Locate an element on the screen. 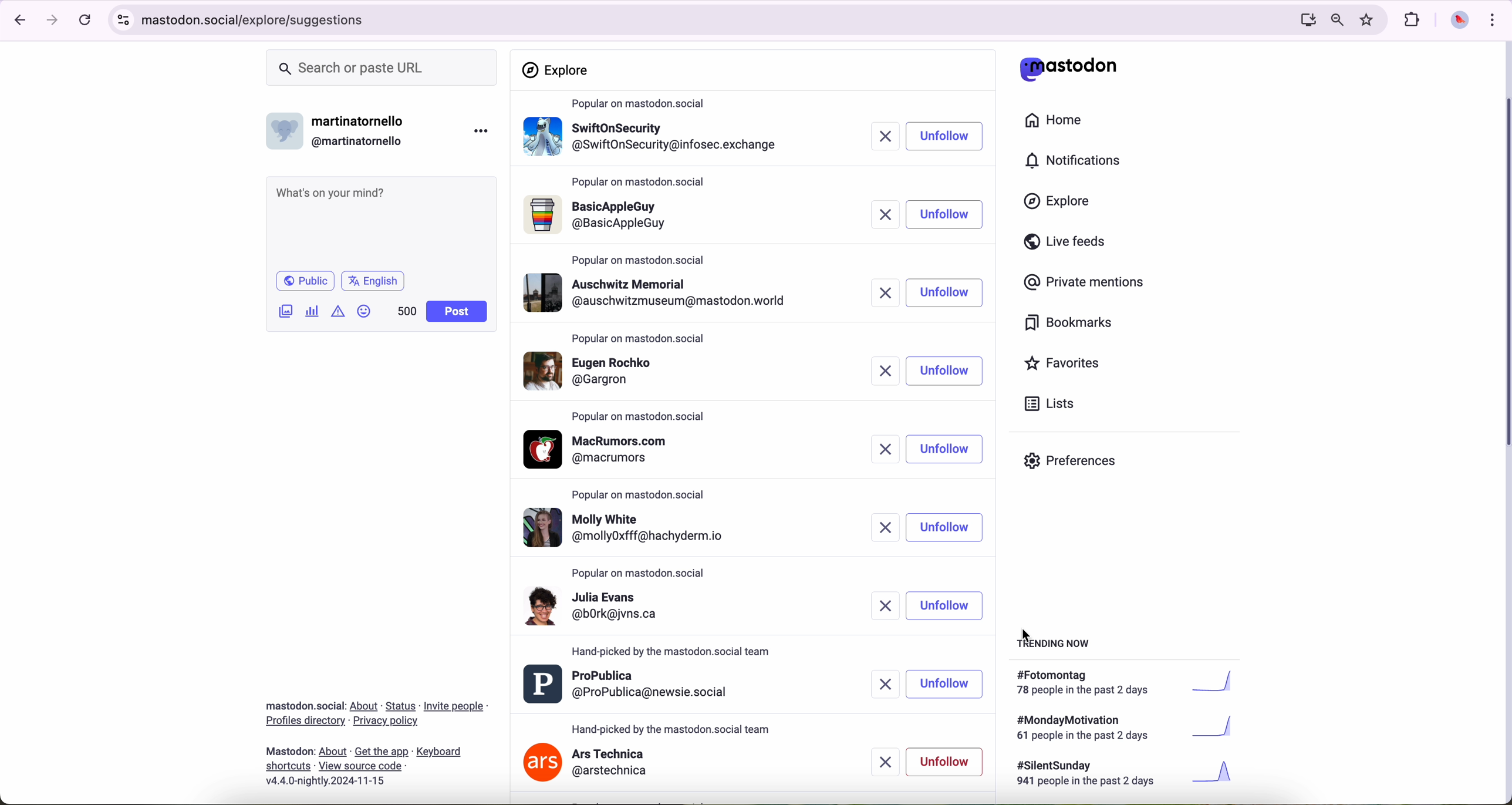  remove is located at coordinates (882, 137).